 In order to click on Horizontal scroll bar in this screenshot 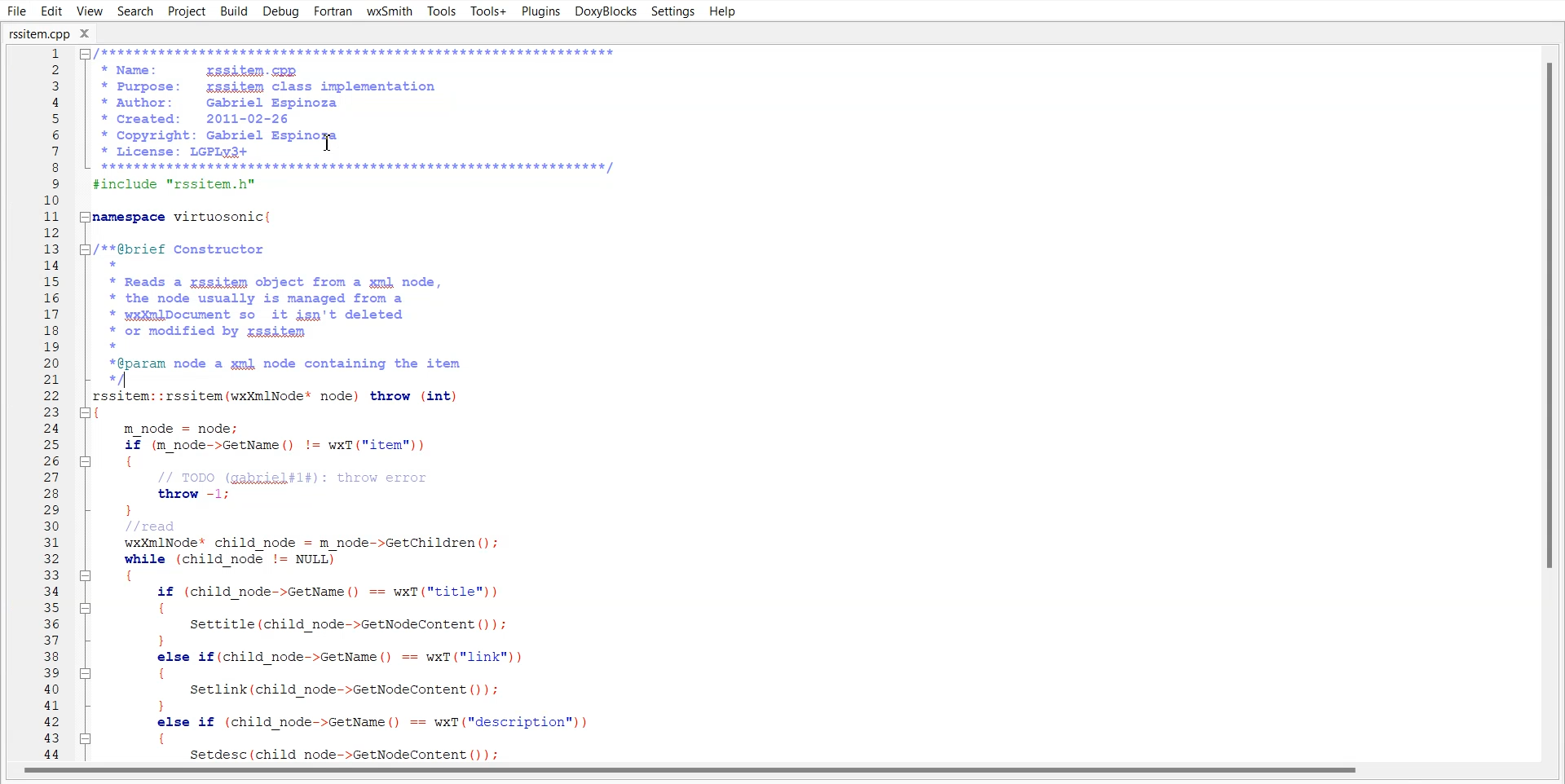, I will do `click(782, 774)`.